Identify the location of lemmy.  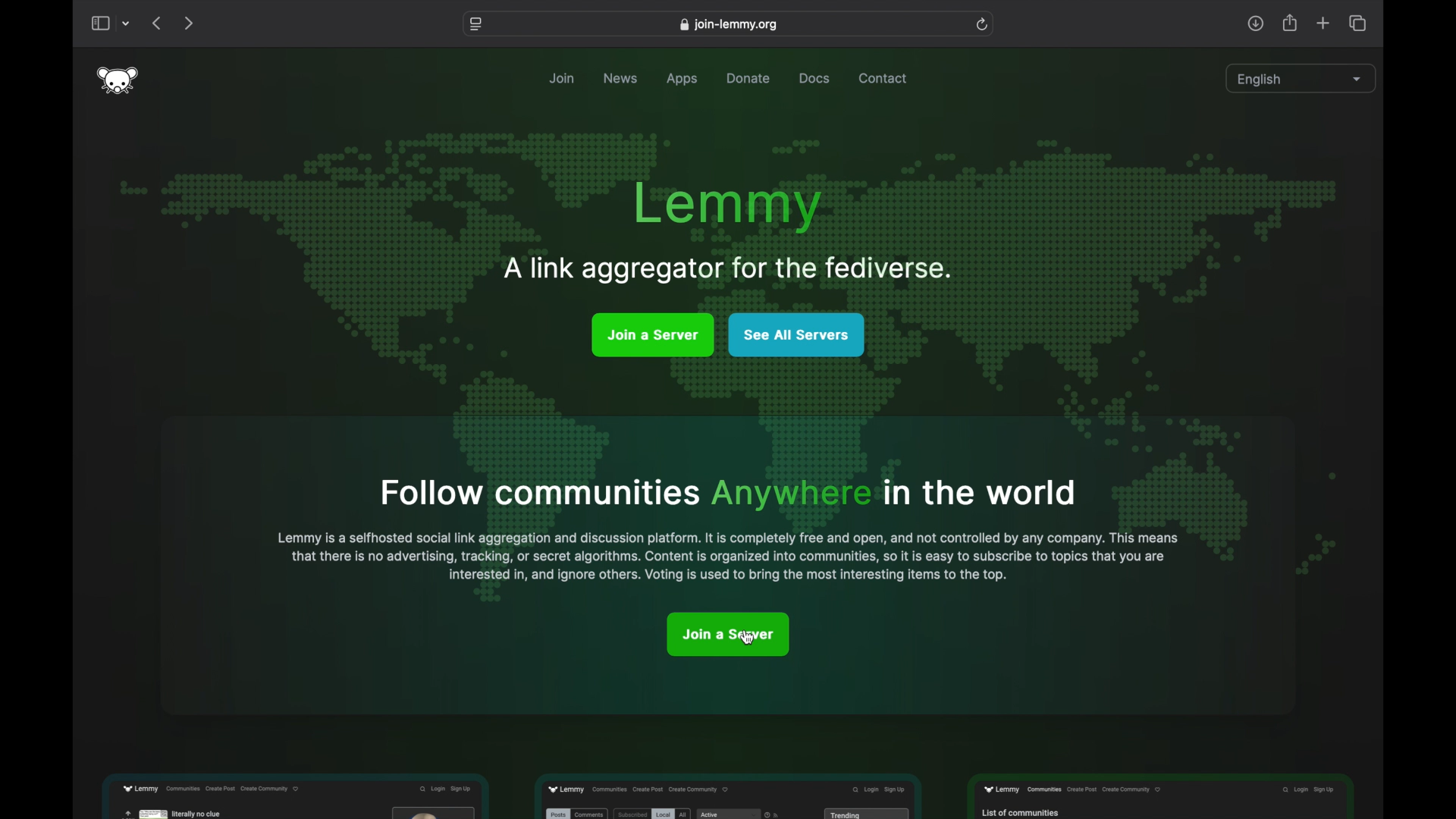
(732, 207).